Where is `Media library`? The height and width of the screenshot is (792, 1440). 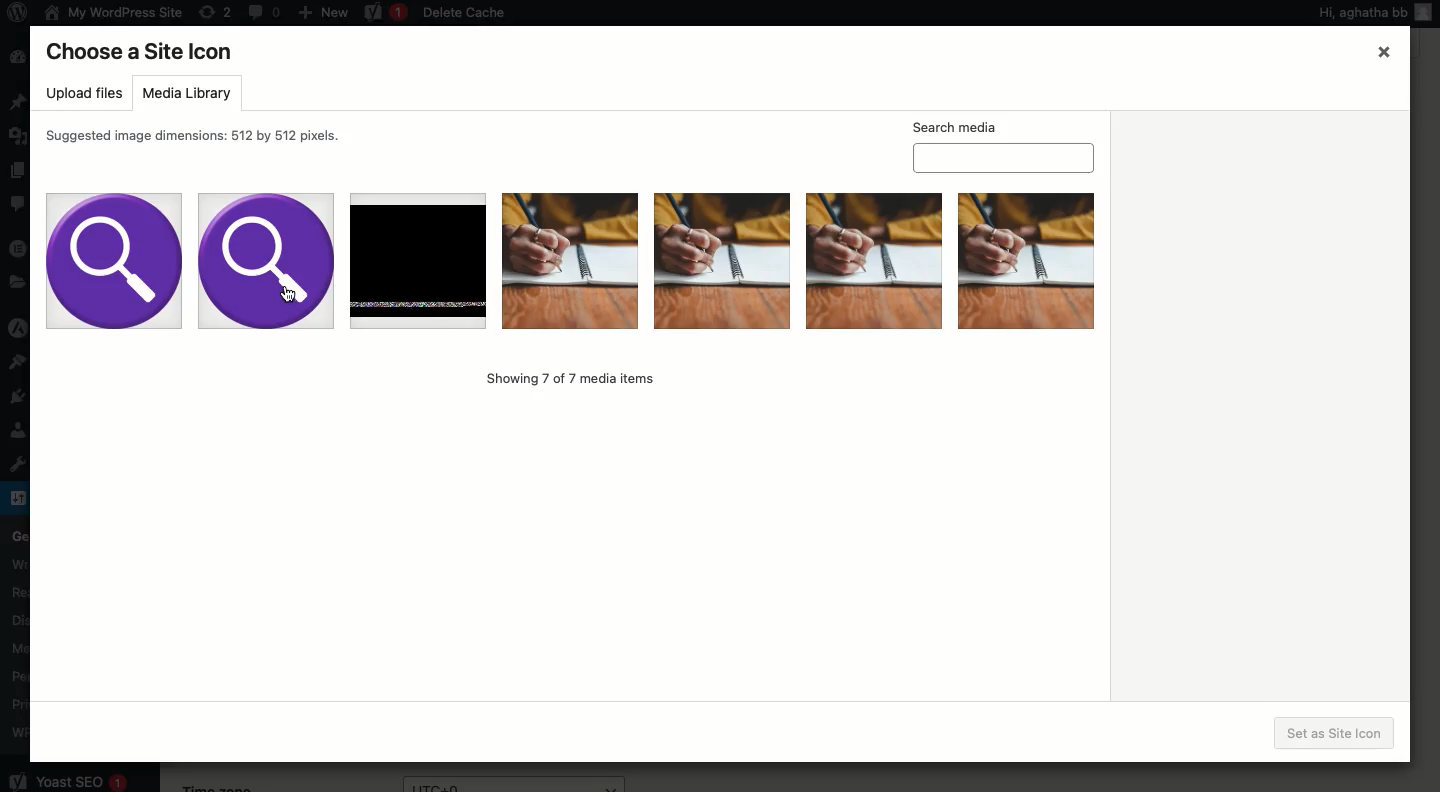
Media library is located at coordinates (185, 95).